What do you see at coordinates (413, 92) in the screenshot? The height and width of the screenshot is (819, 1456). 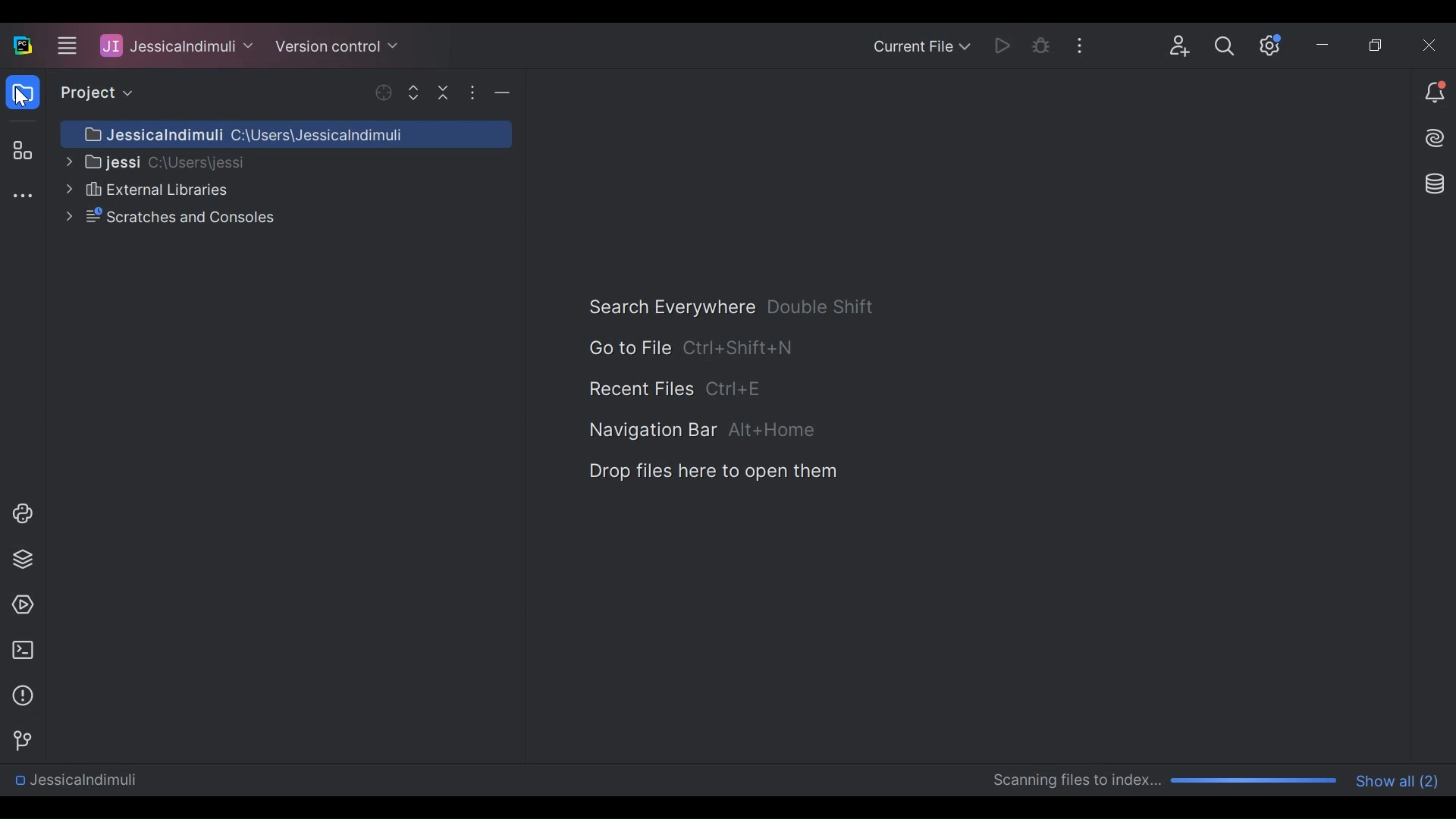 I see `Expand Selected` at bounding box center [413, 92].